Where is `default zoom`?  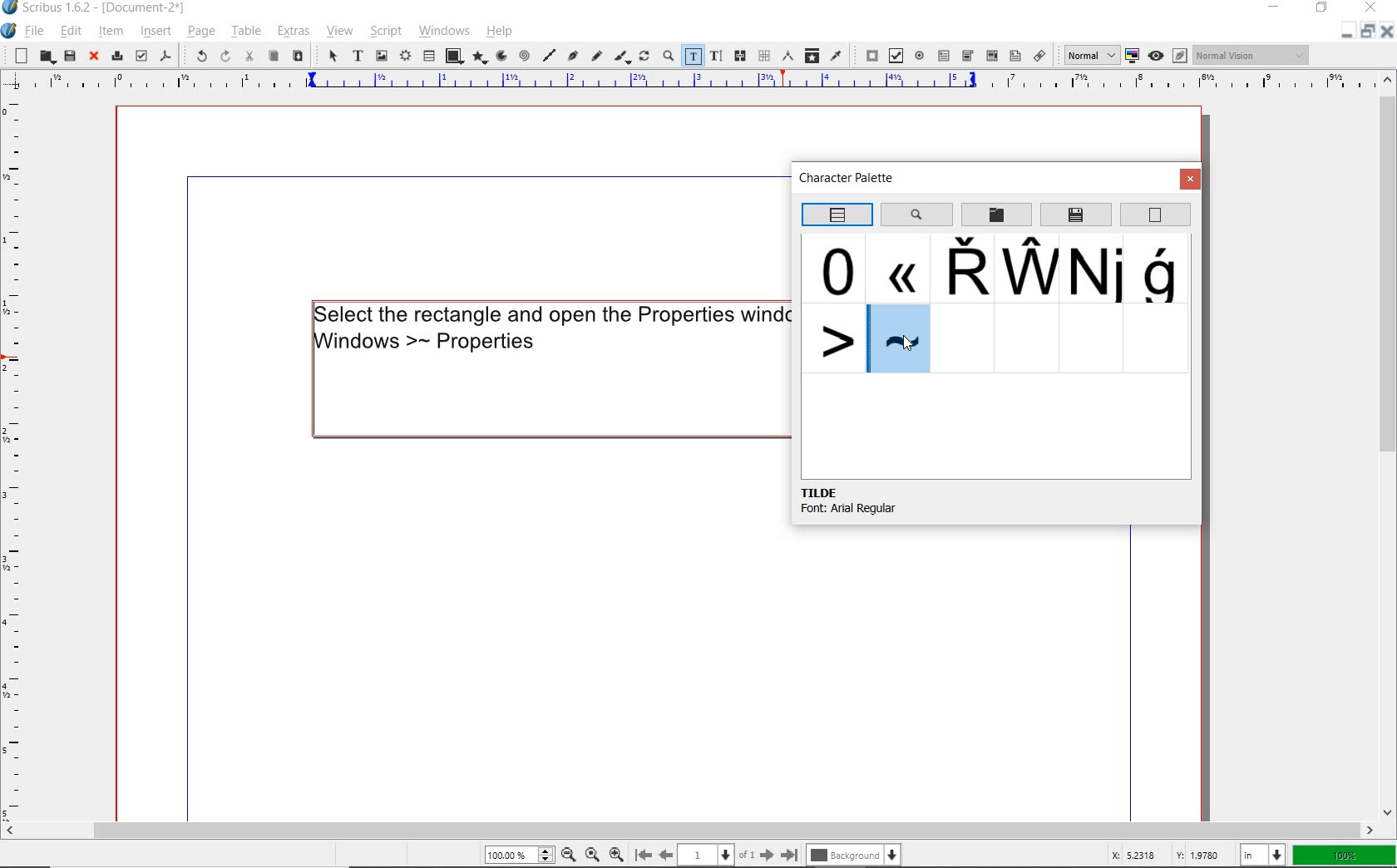
default zoom is located at coordinates (591, 852).